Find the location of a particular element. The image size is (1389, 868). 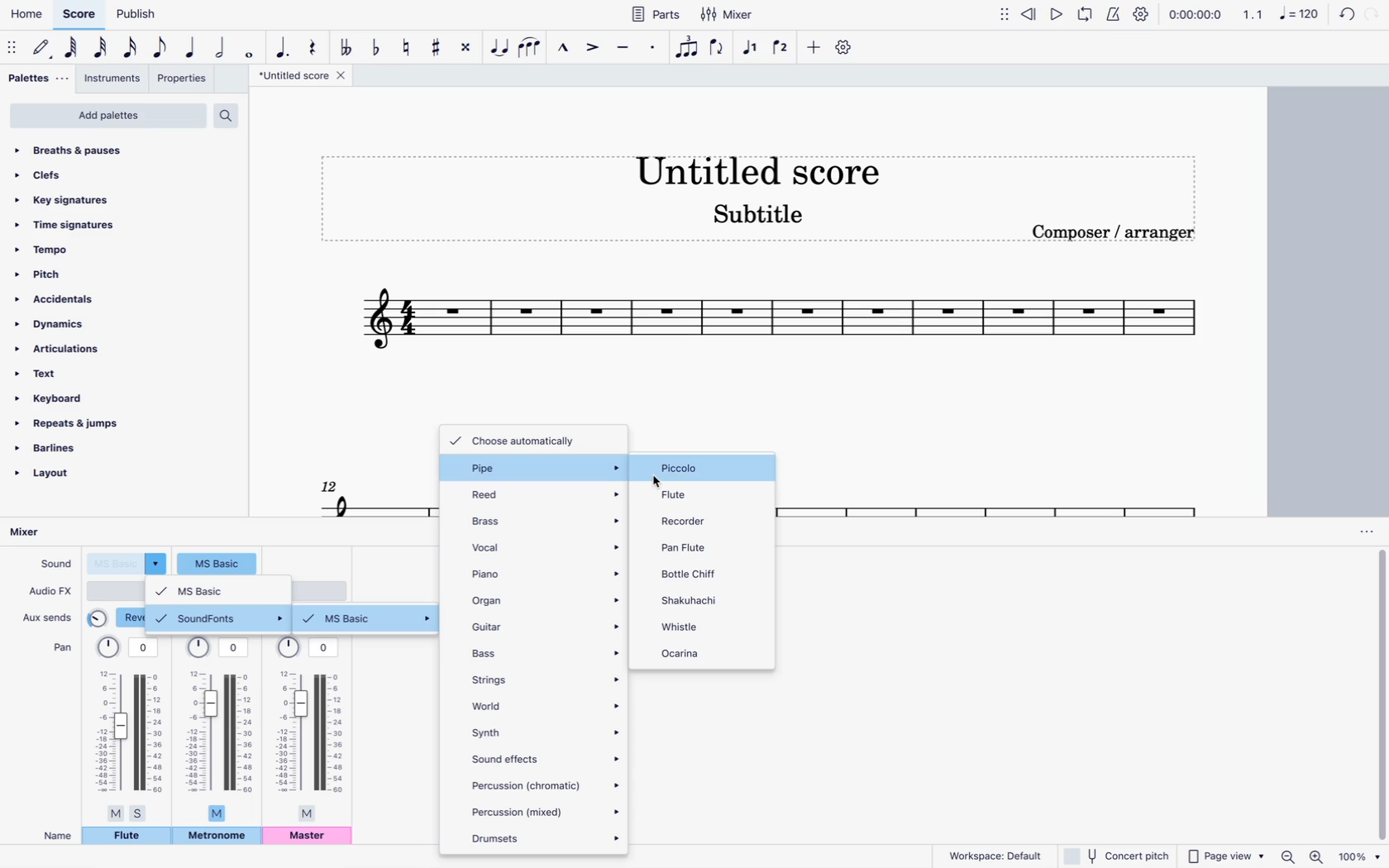

sound effects is located at coordinates (545, 756).